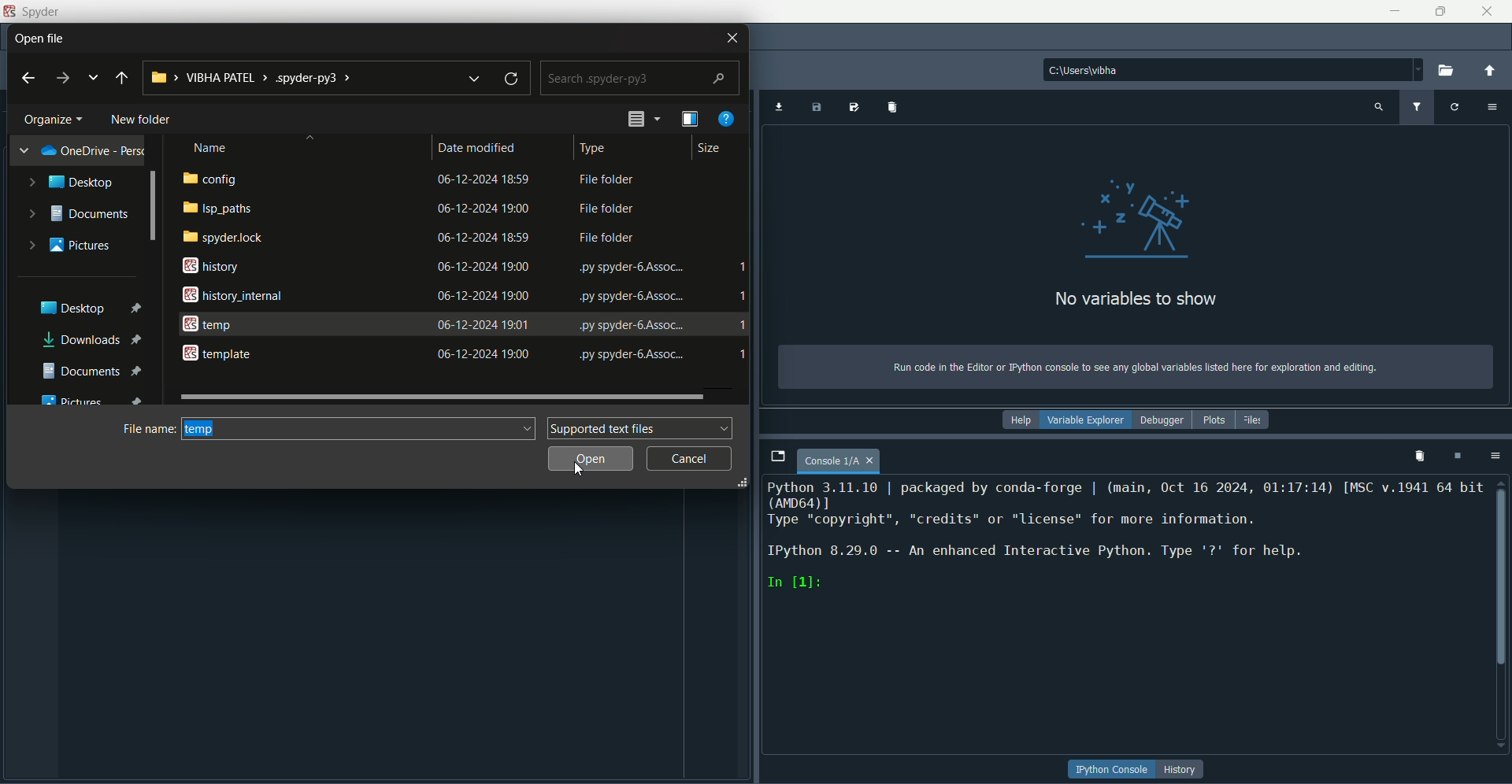  I want to click on options, so click(1499, 457).